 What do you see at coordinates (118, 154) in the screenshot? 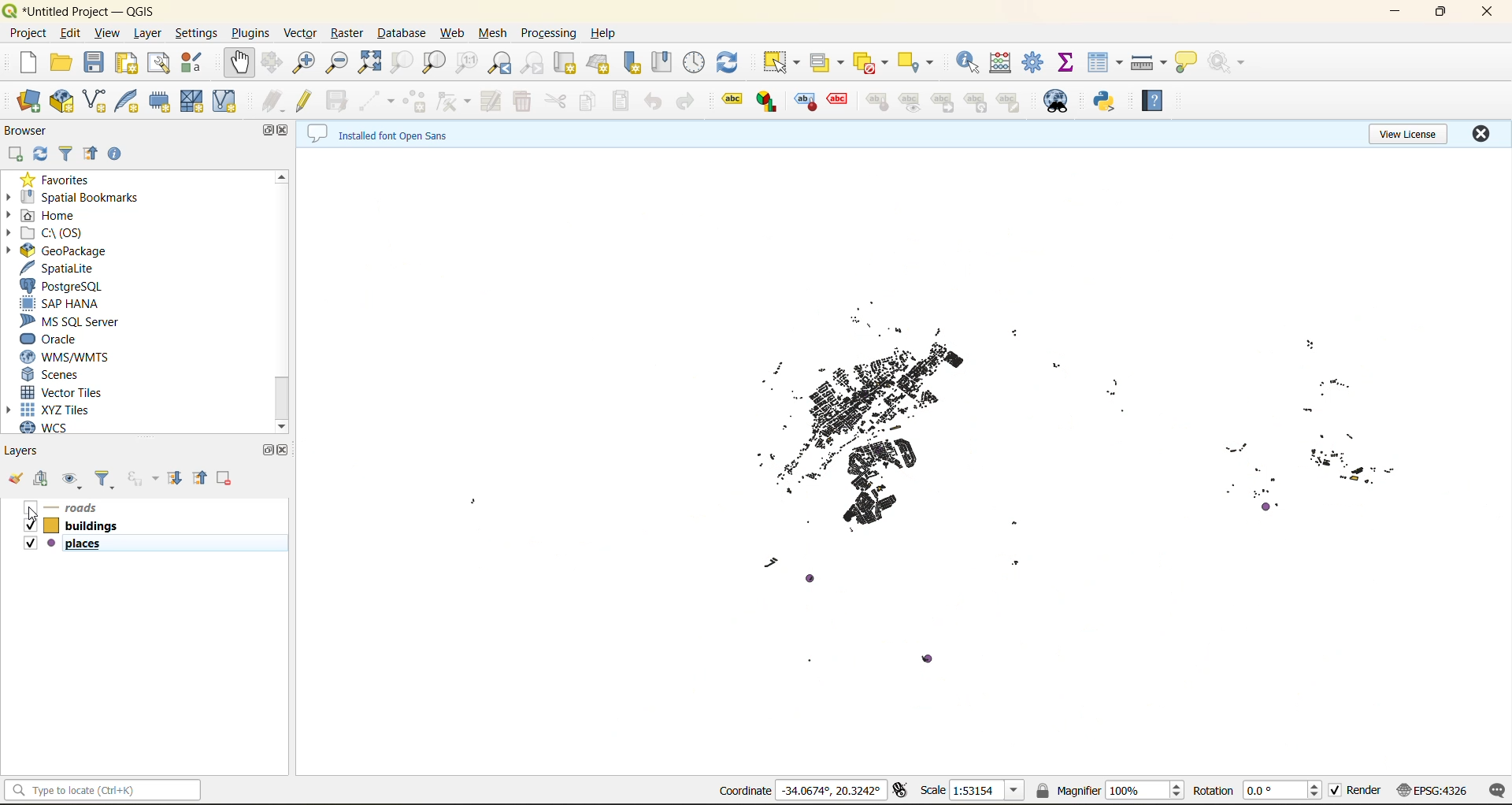
I see `enable properties` at bounding box center [118, 154].